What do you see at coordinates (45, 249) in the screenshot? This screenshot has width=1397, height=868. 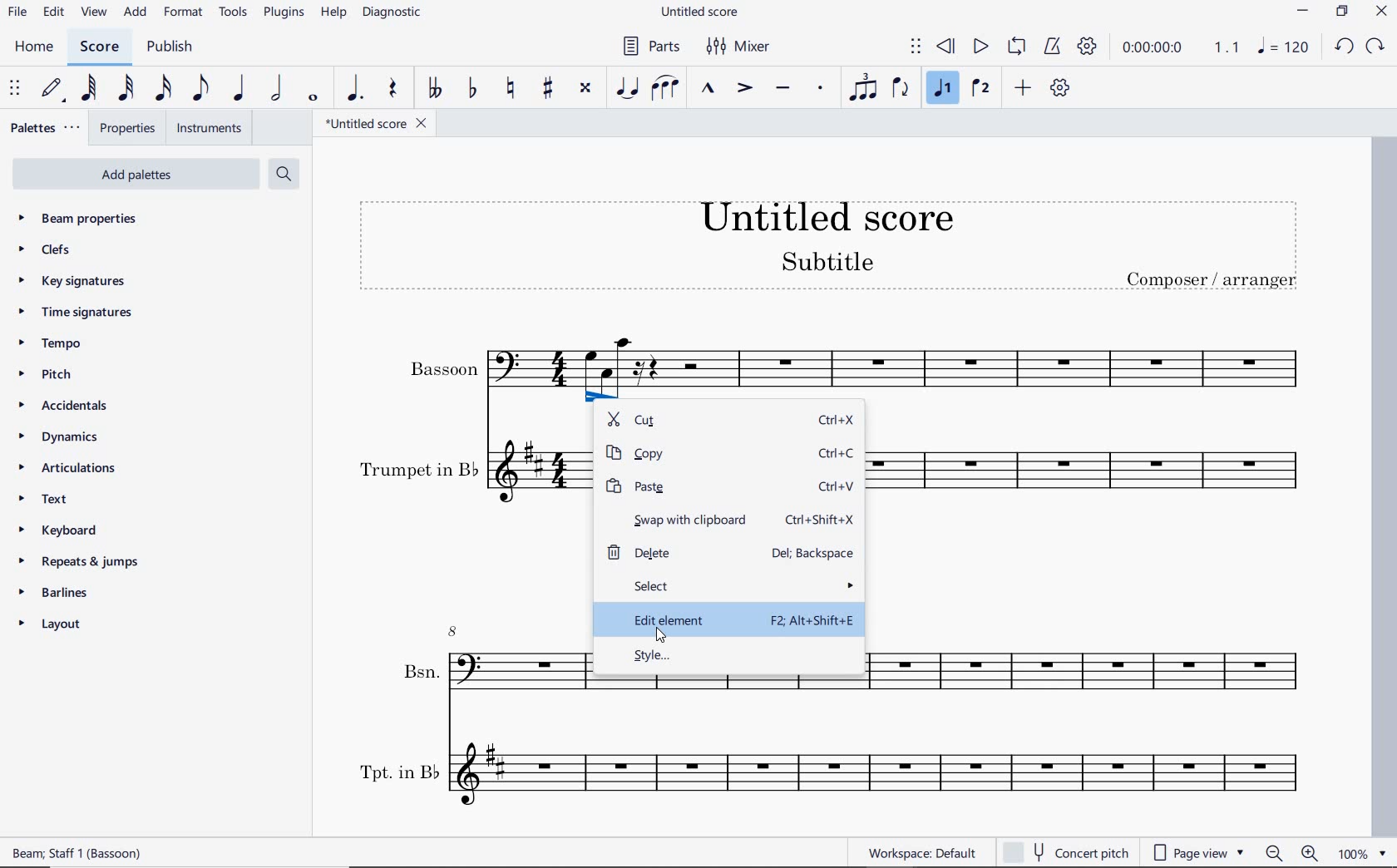 I see `clefs` at bounding box center [45, 249].